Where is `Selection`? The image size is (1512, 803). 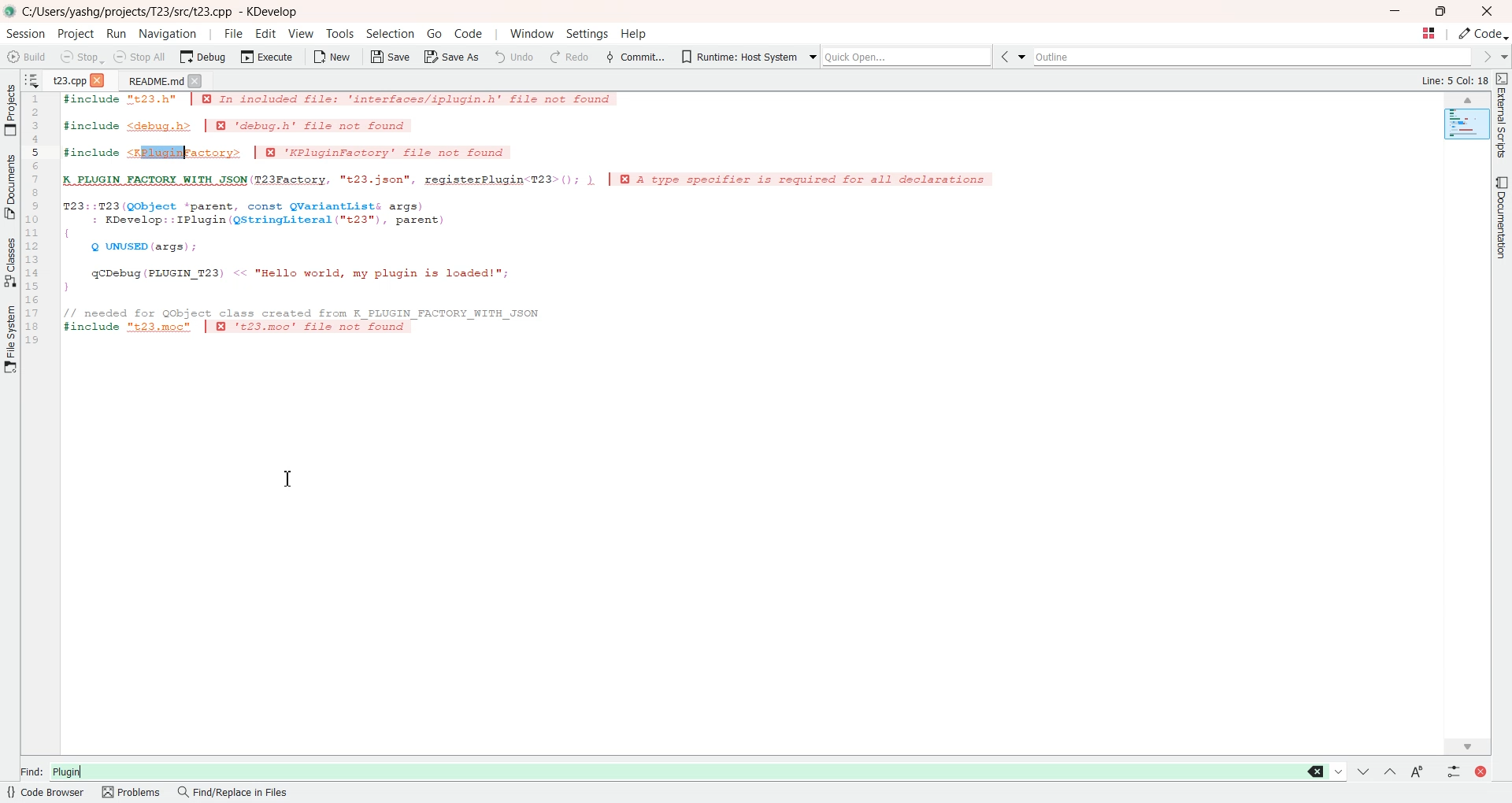 Selection is located at coordinates (391, 34).